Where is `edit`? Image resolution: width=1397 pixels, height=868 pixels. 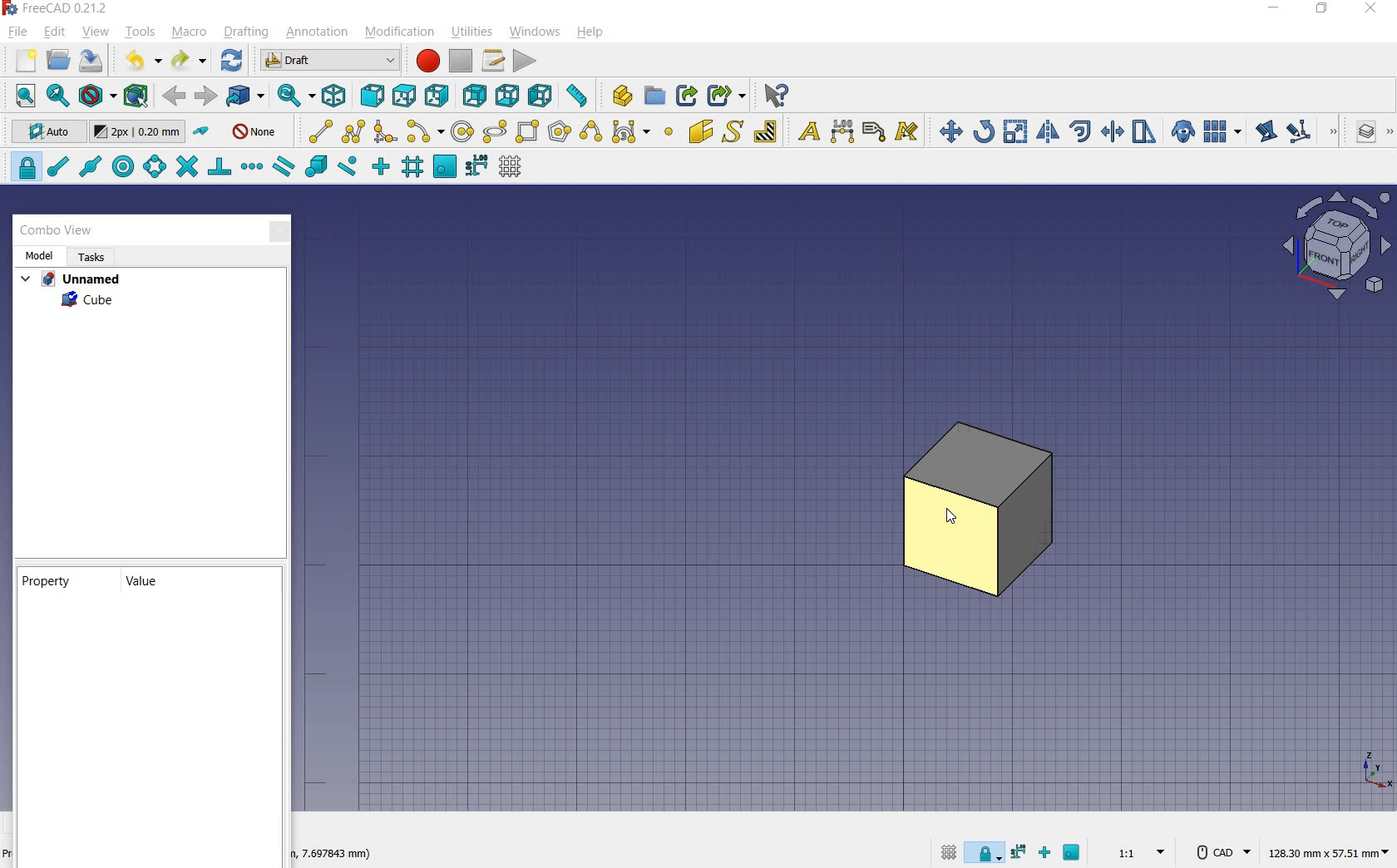 edit is located at coordinates (1266, 131).